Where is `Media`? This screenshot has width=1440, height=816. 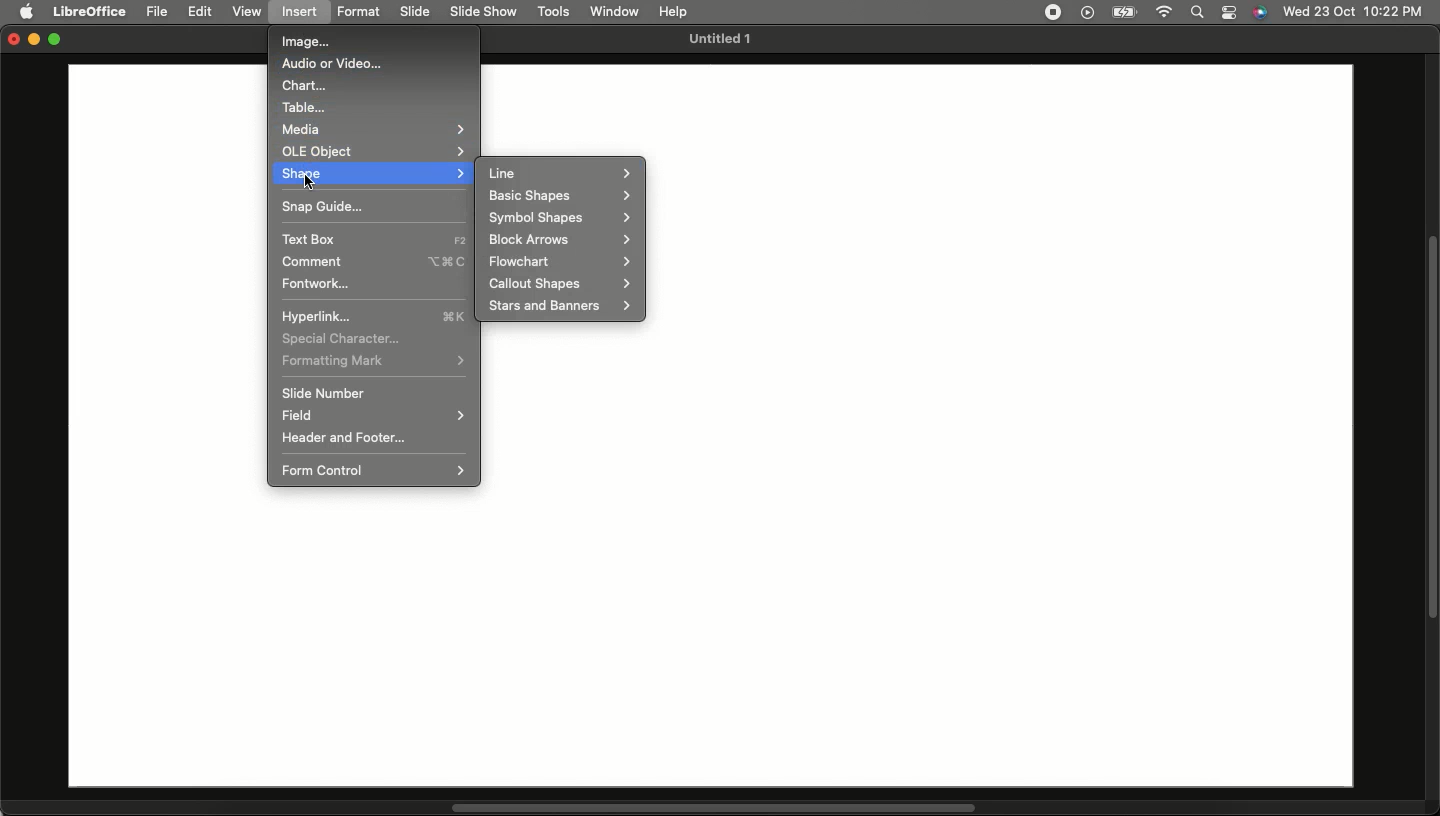
Media is located at coordinates (371, 128).